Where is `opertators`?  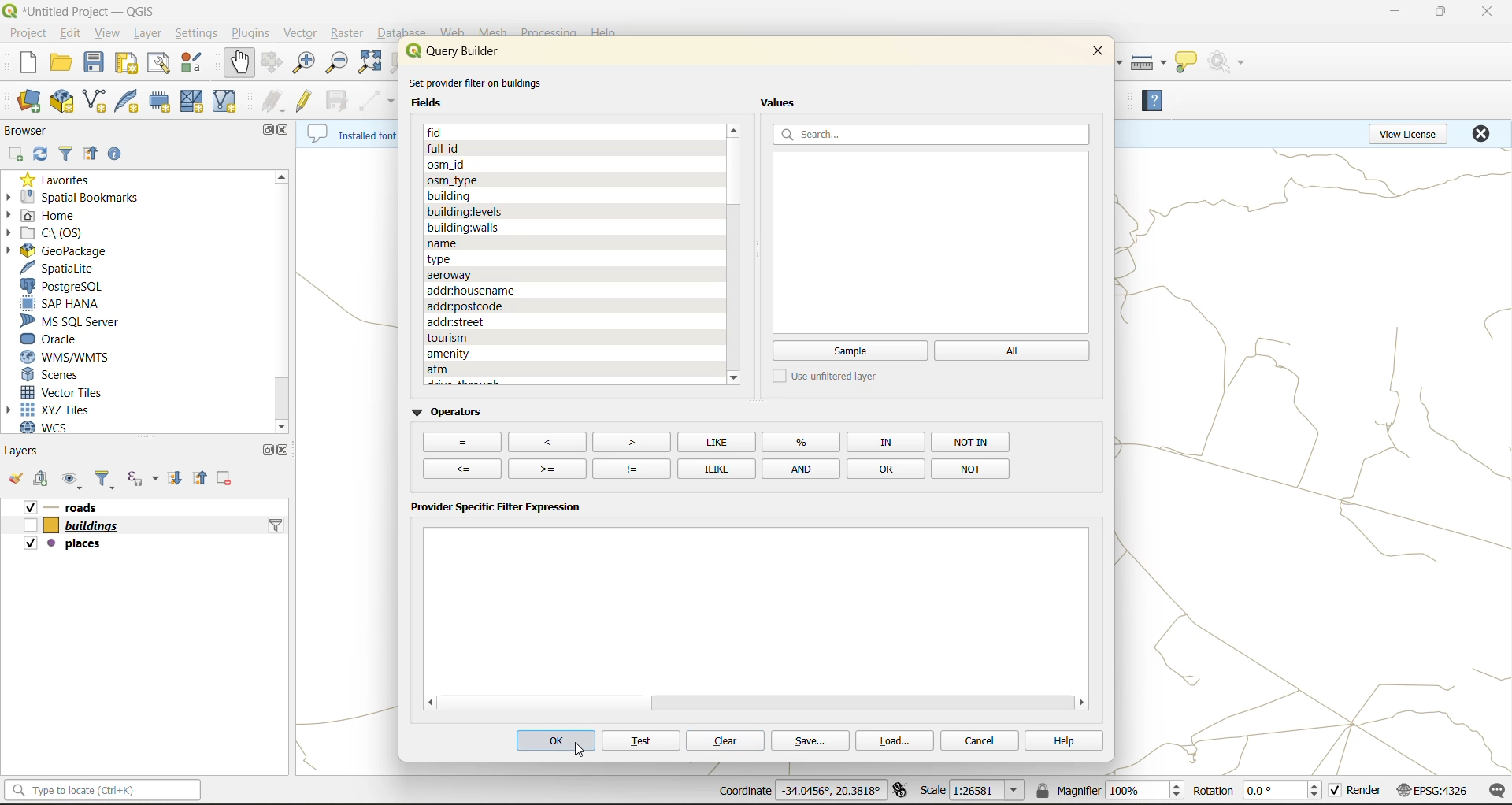
opertators is located at coordinates (631, 468).